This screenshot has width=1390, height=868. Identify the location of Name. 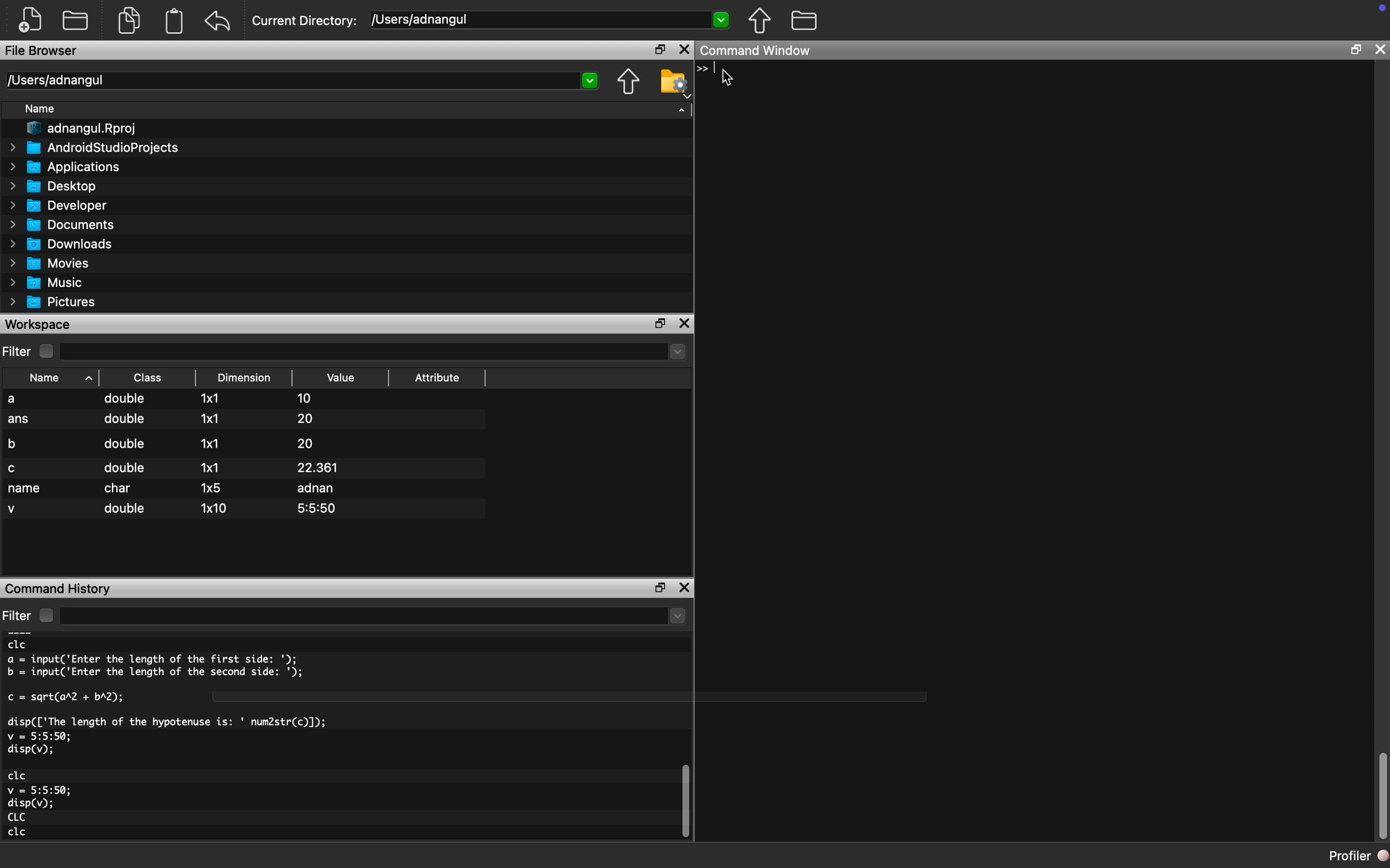
(53, 375).